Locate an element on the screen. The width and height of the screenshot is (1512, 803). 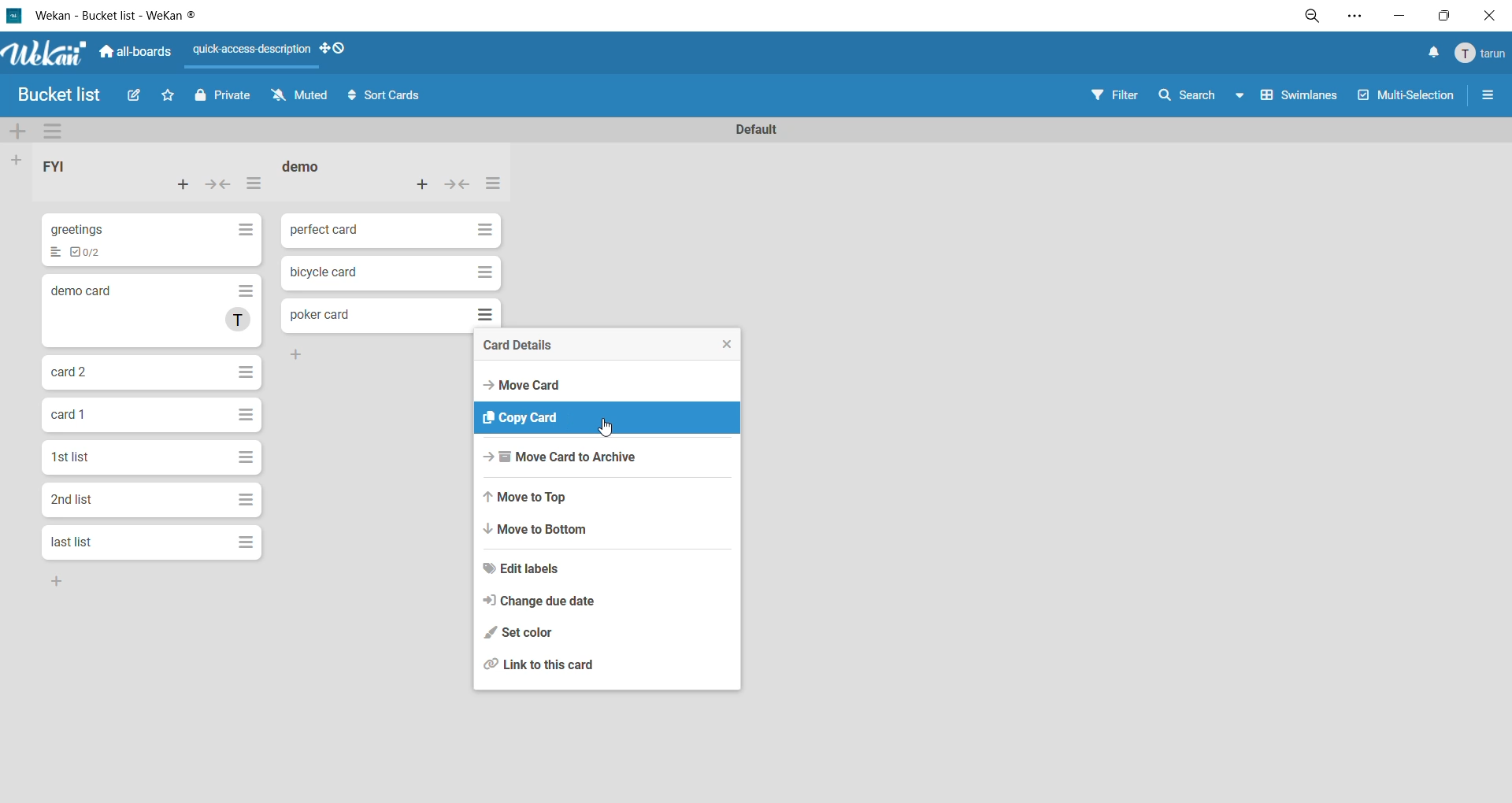
add list is located at coordinates (20, 160).